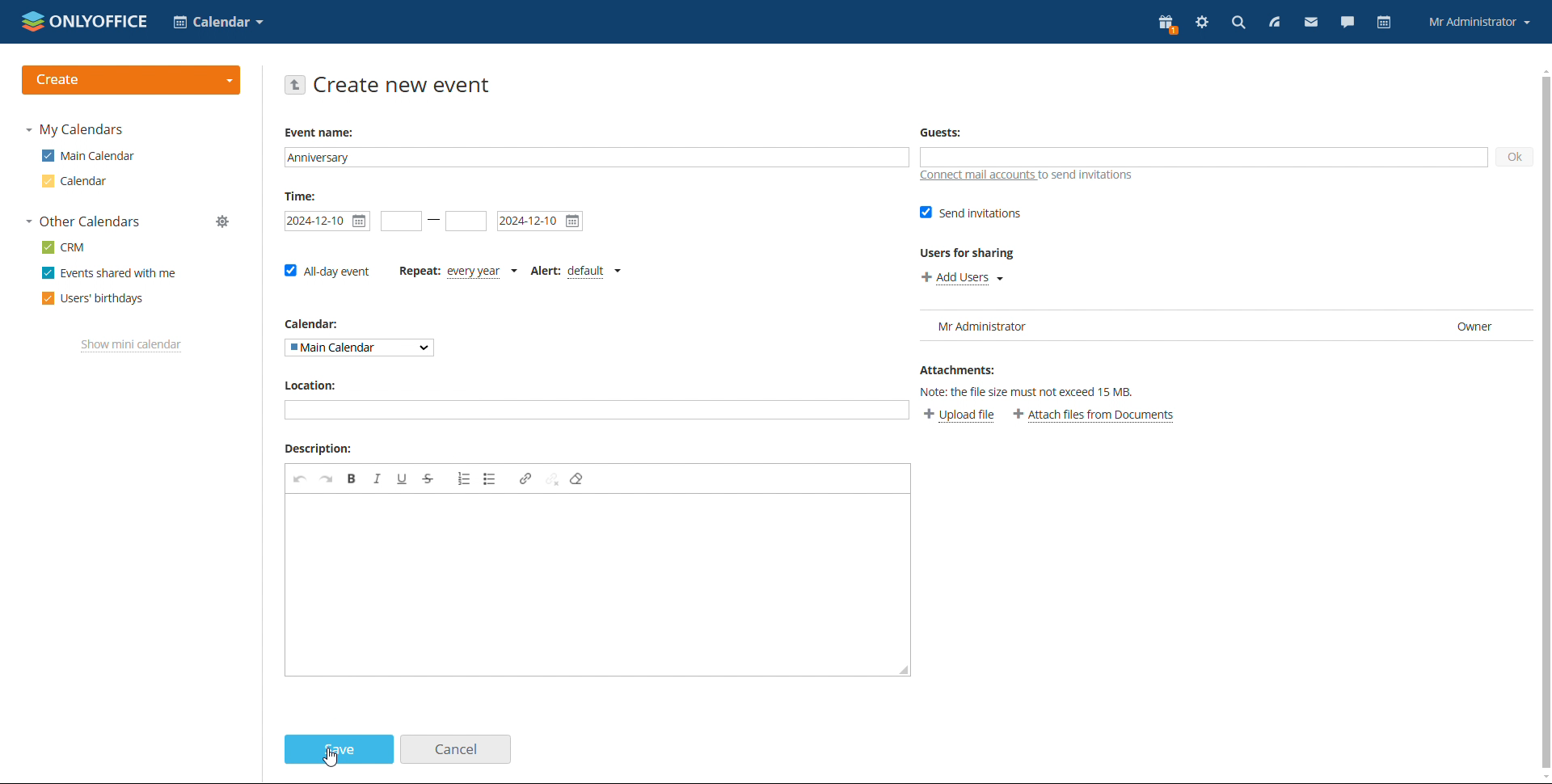 This screenshot has height=784, width=1552. I want to click on resize box, so click(904, 668).